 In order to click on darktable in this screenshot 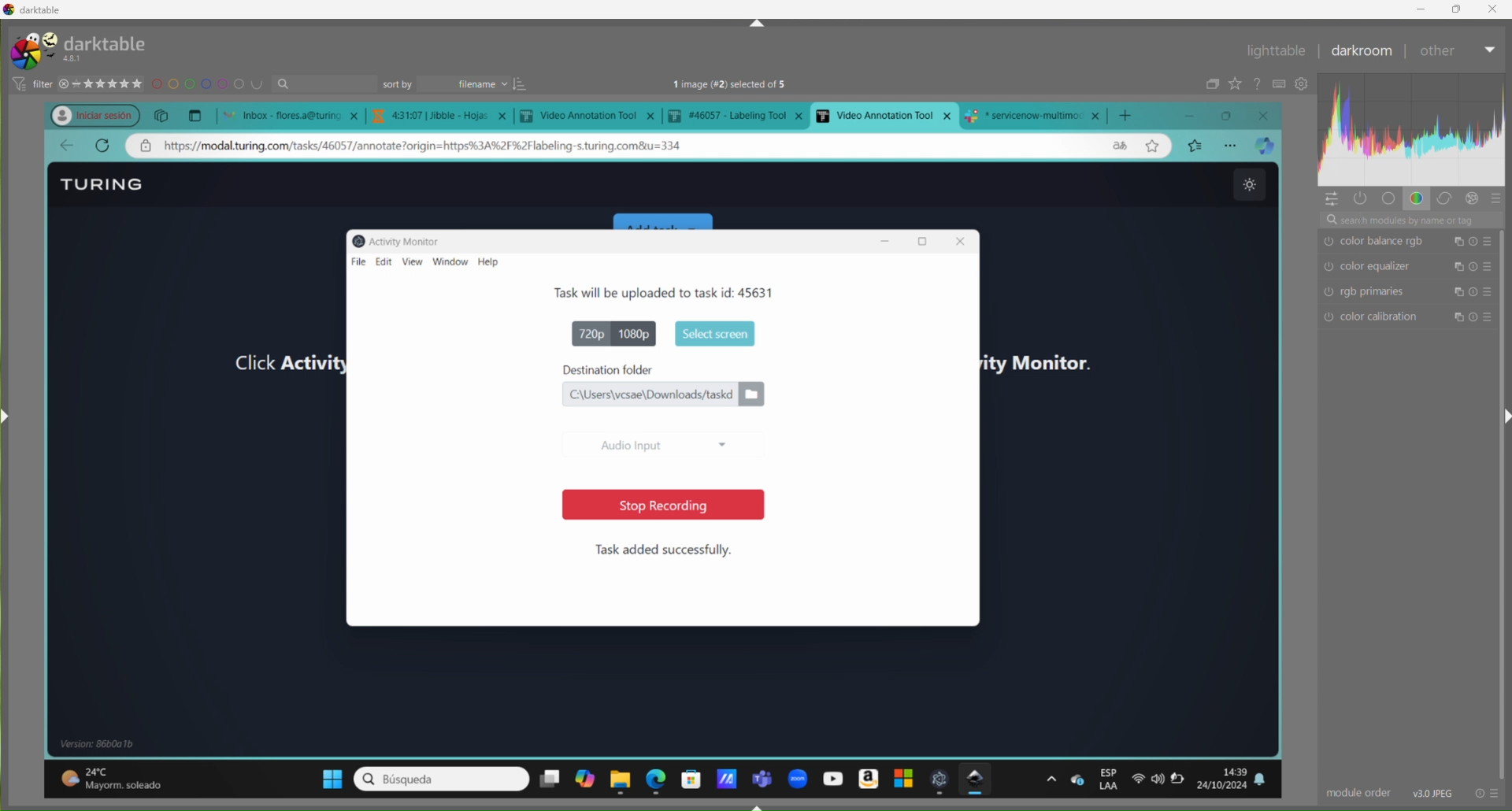, I will do `click(978, 780)`.